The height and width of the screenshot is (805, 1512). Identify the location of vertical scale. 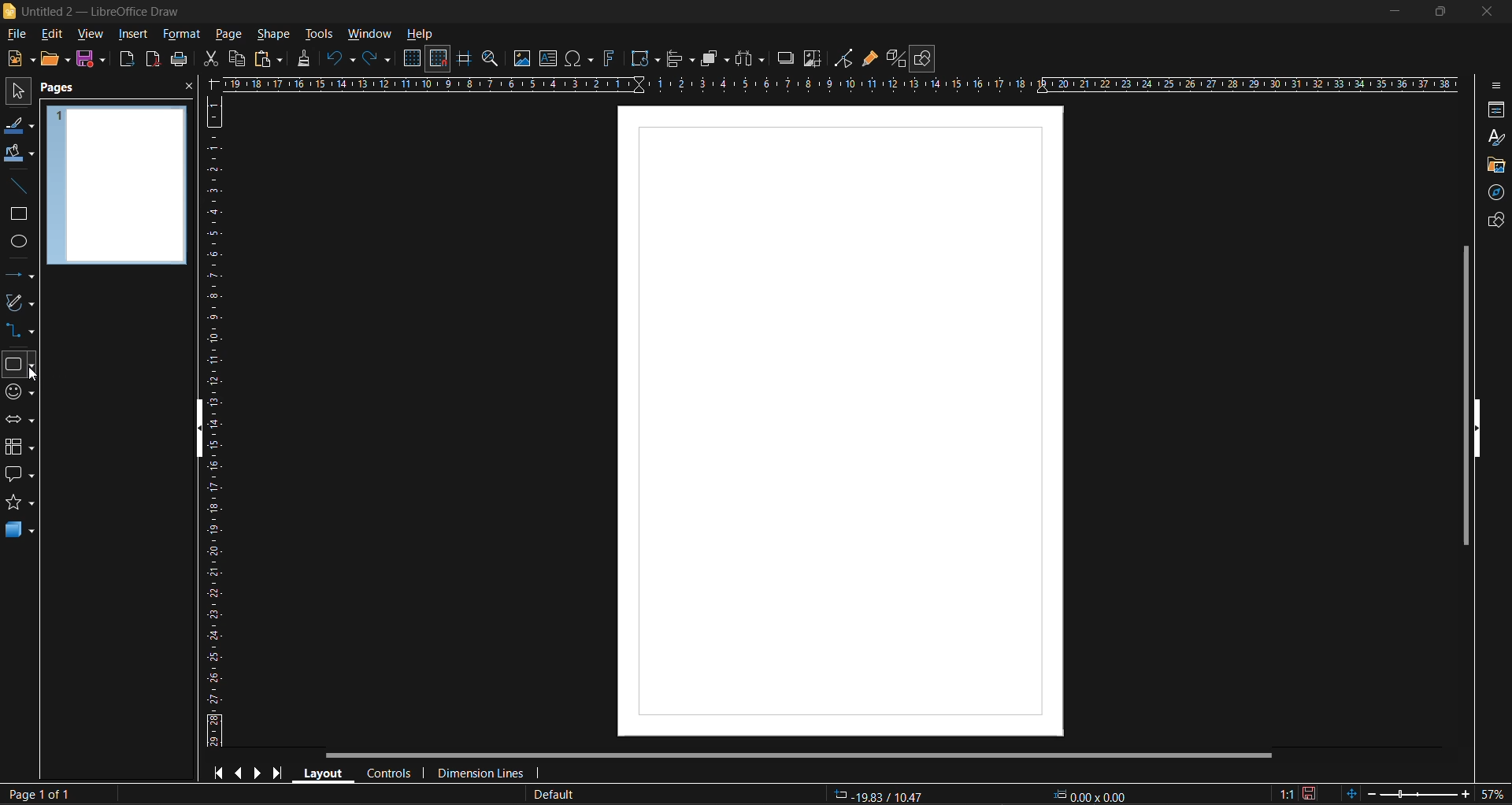
(213, 421).